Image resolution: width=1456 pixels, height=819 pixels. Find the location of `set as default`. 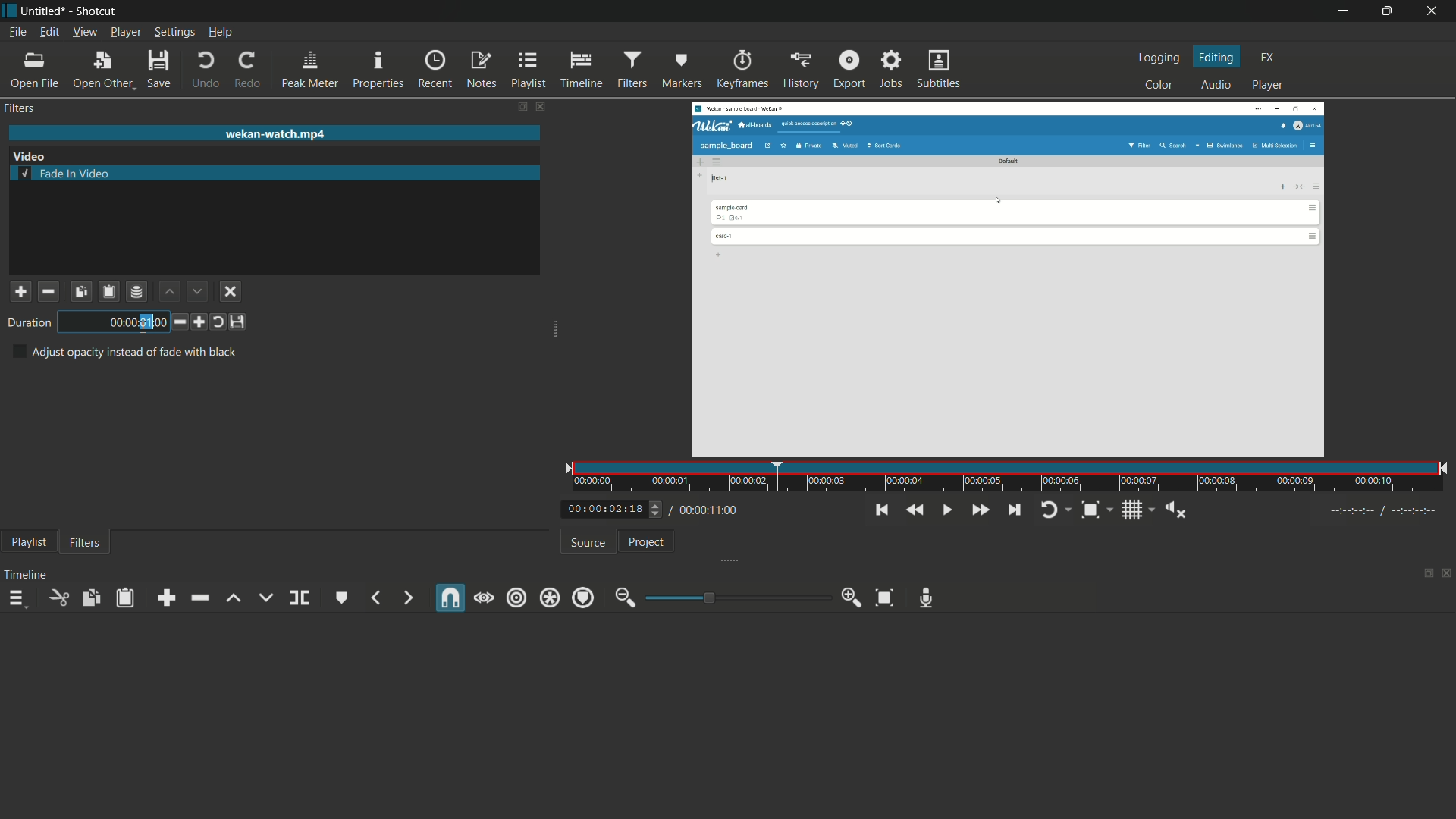

set as default is located at coordinates (239, 322).